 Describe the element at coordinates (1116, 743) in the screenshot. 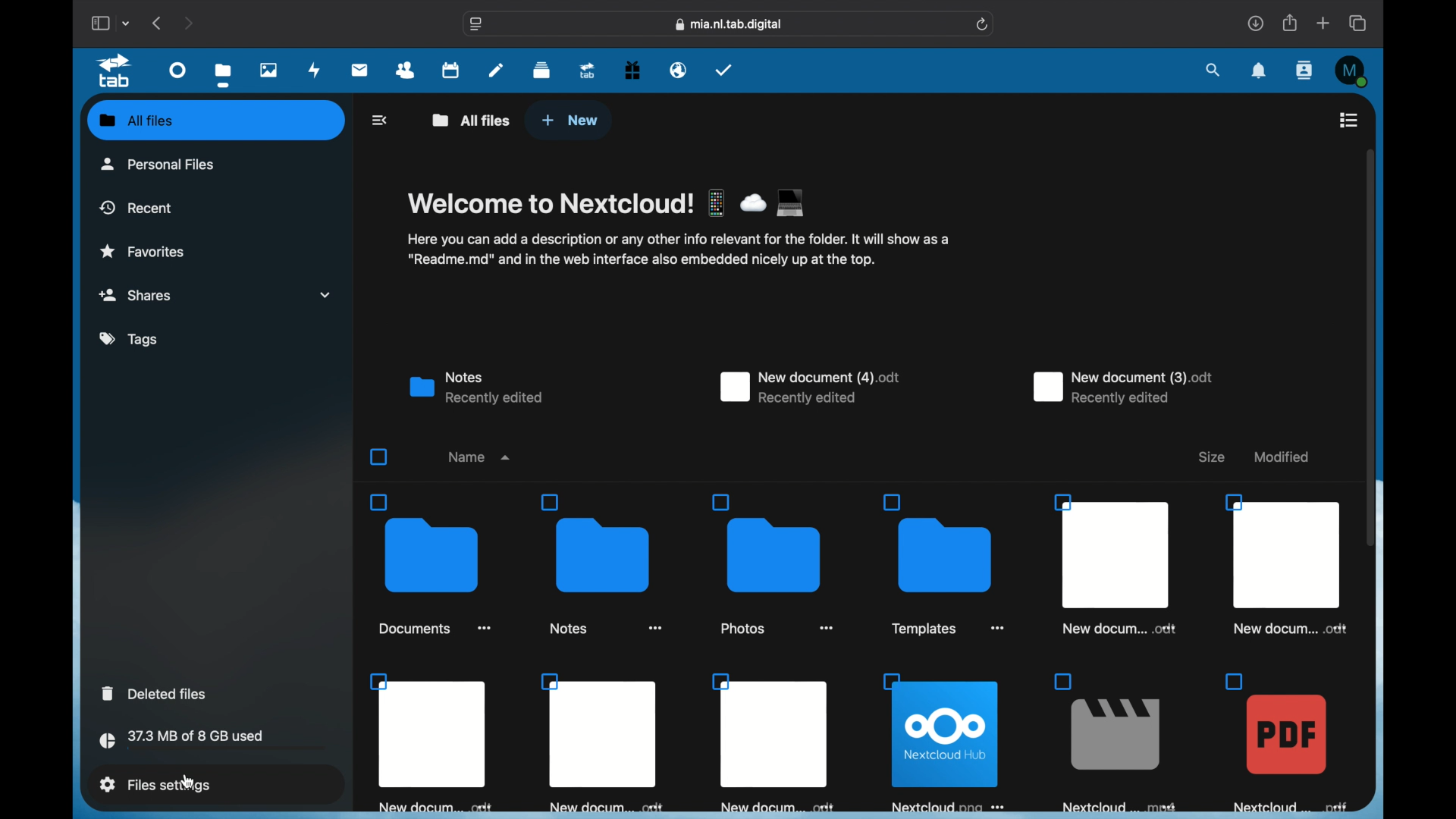

I see `file` at that location.